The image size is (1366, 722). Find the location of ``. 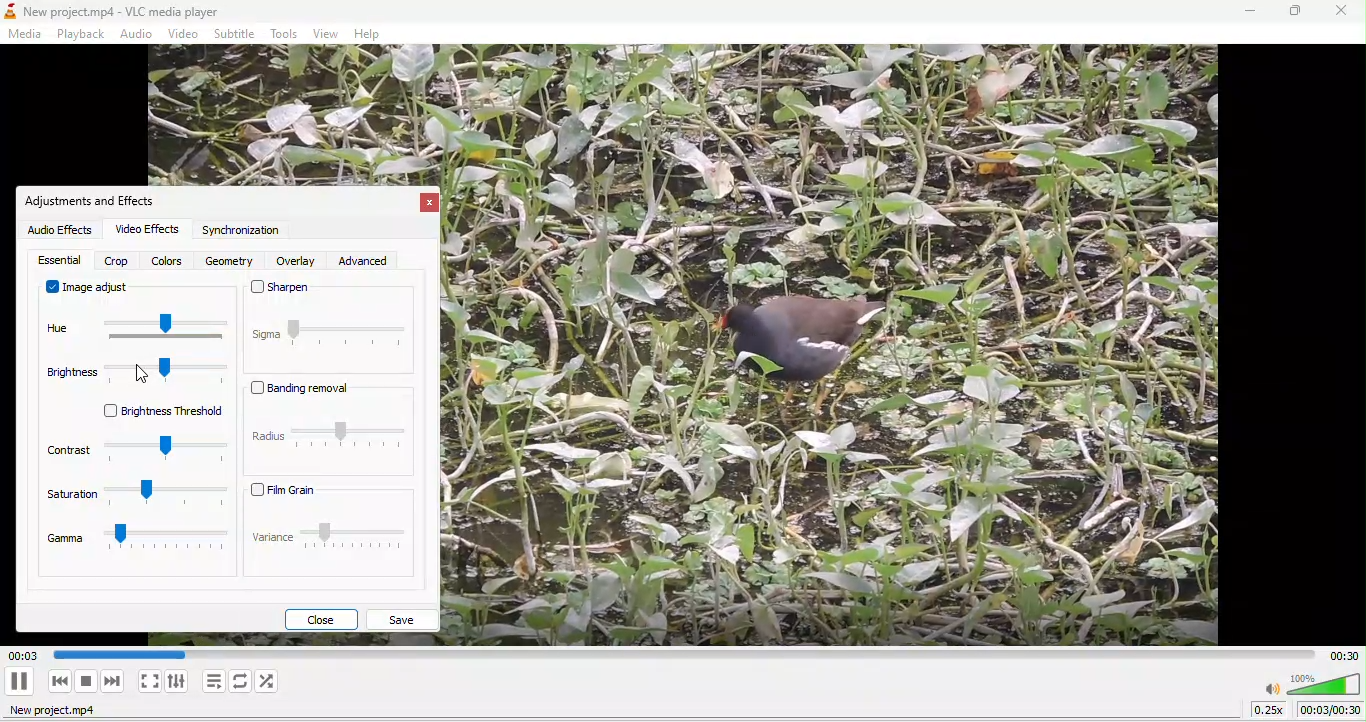

 is located at coordinates (22, 679).